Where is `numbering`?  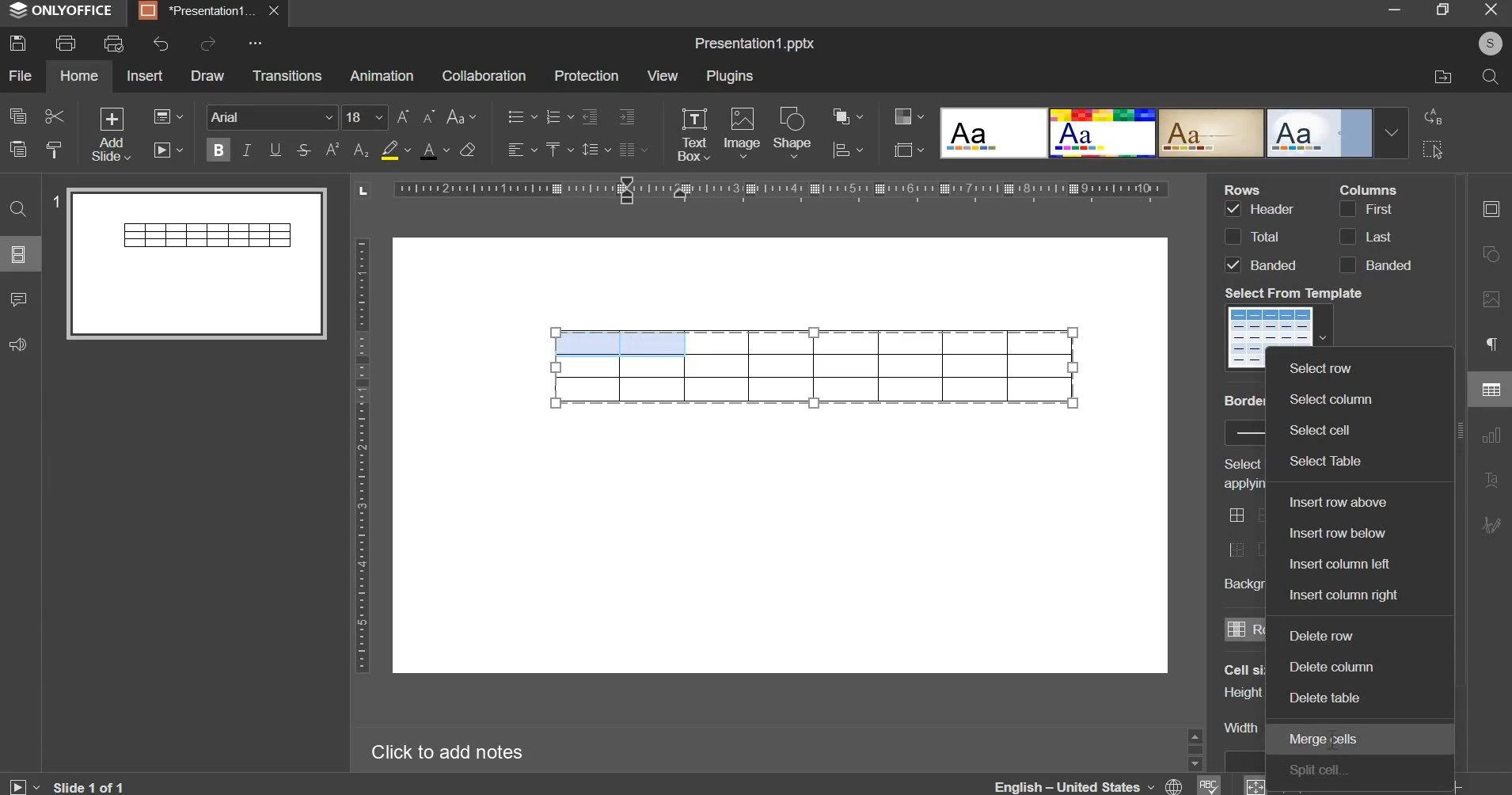 numbering is located at coordinates (557, 117).